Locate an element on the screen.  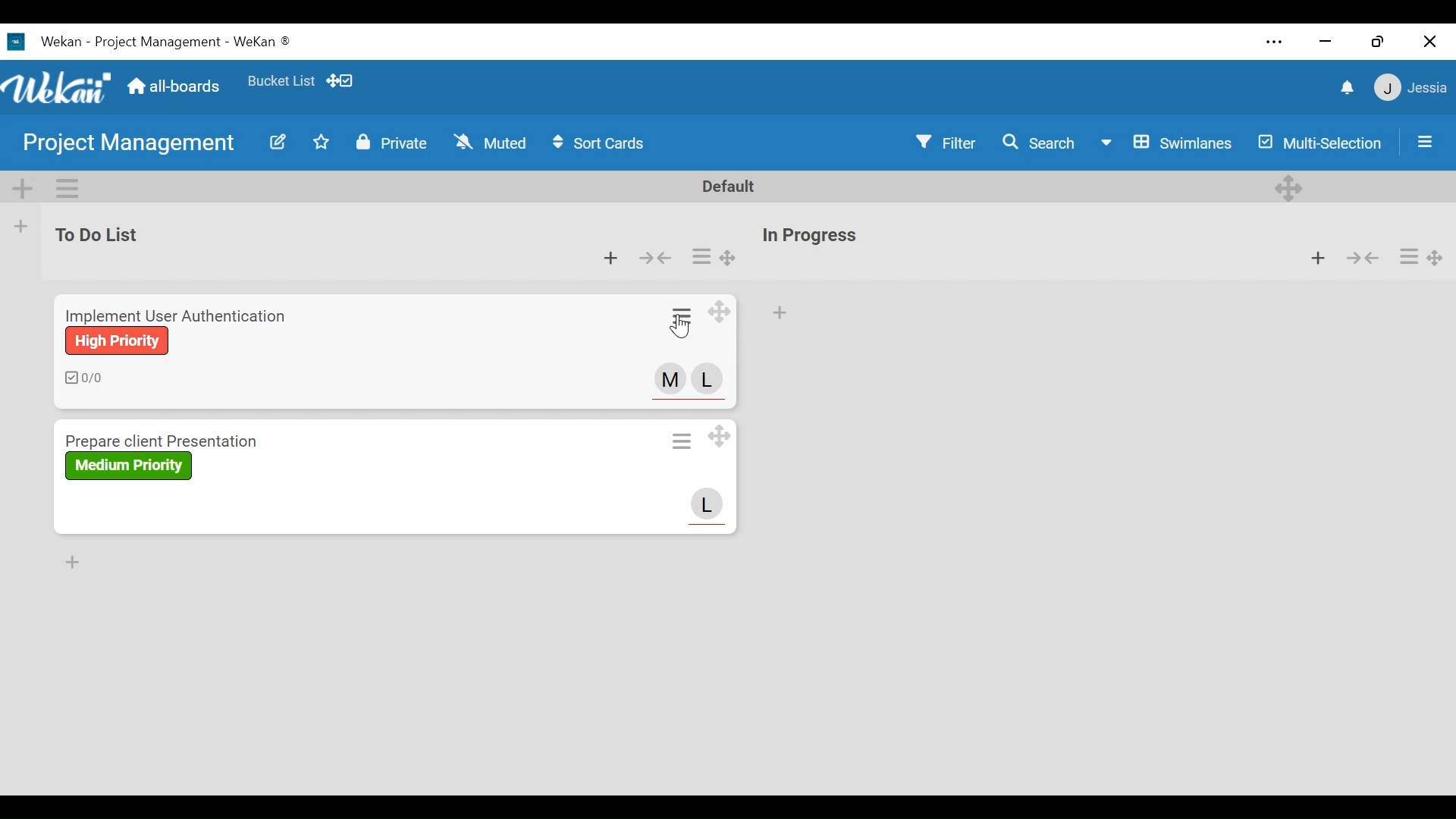
Desktop drag handles is located at coordinates (1288, 188).